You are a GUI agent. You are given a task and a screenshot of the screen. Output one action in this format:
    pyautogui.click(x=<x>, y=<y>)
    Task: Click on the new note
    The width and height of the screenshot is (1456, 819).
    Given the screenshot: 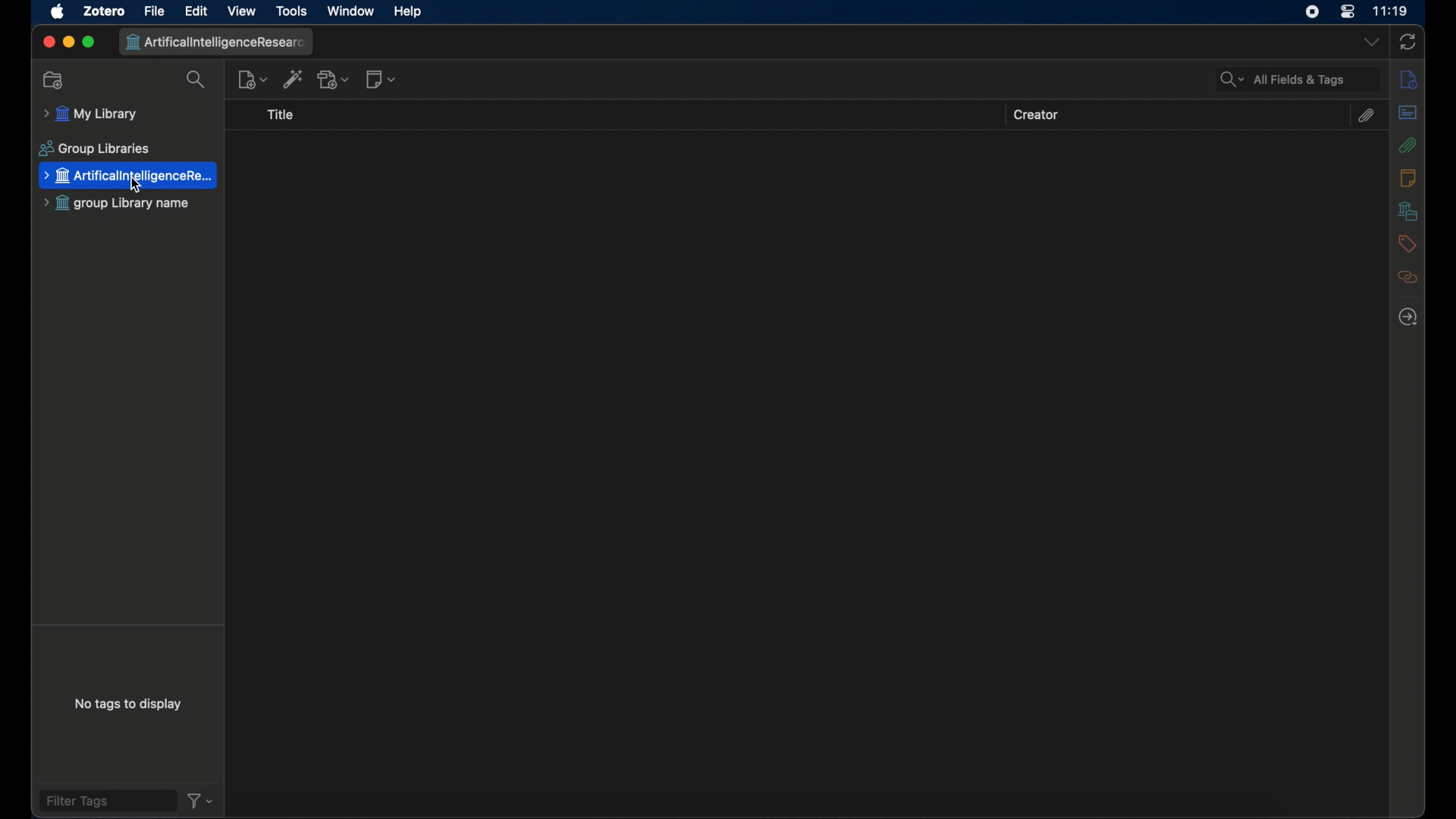 What is the action you would take?
    pyautogui.click(x=381, y=80)
    